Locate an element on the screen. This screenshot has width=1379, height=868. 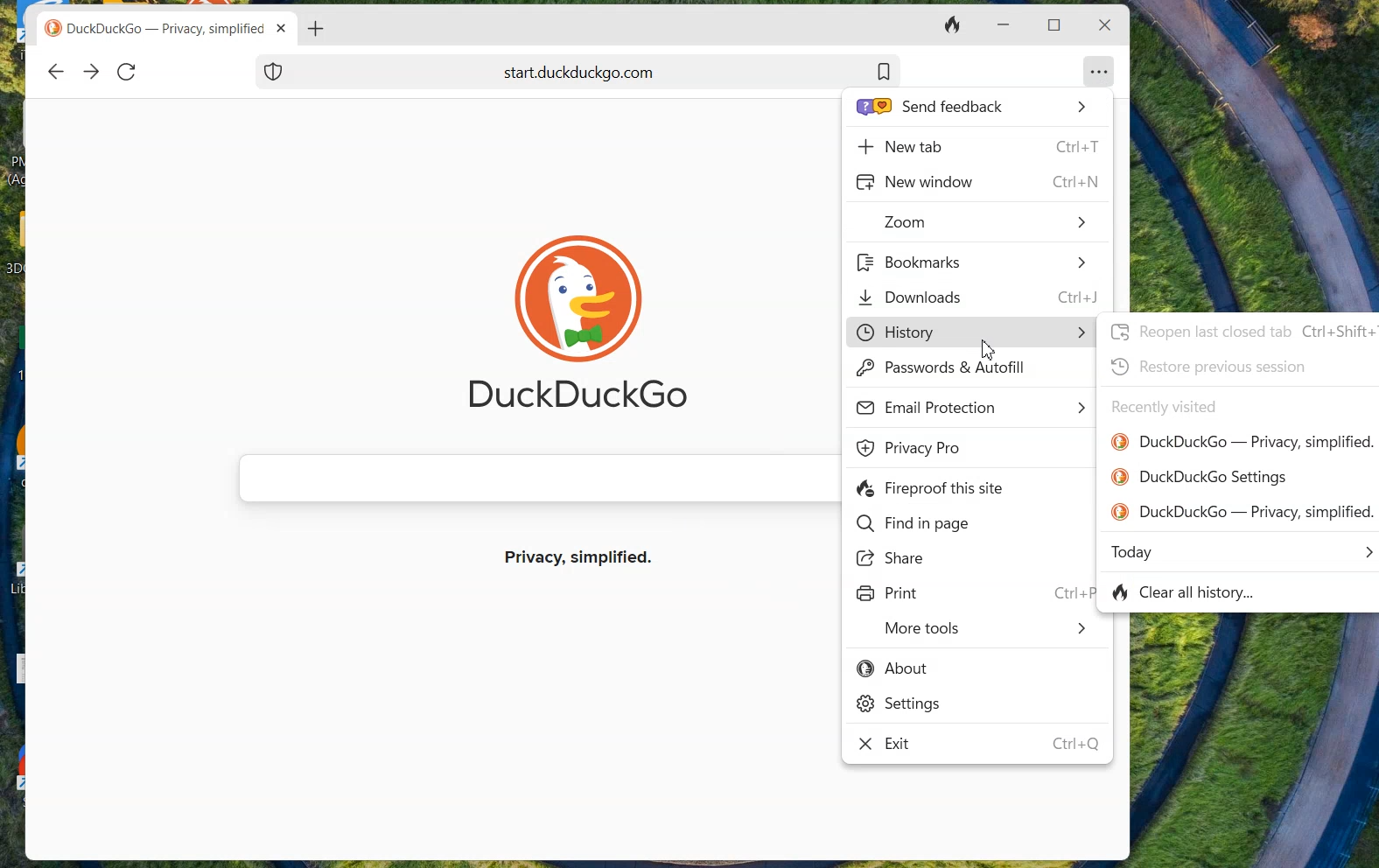
DuckDuckGo - Privacy, simplified. is located at coordinates (1242, 511).